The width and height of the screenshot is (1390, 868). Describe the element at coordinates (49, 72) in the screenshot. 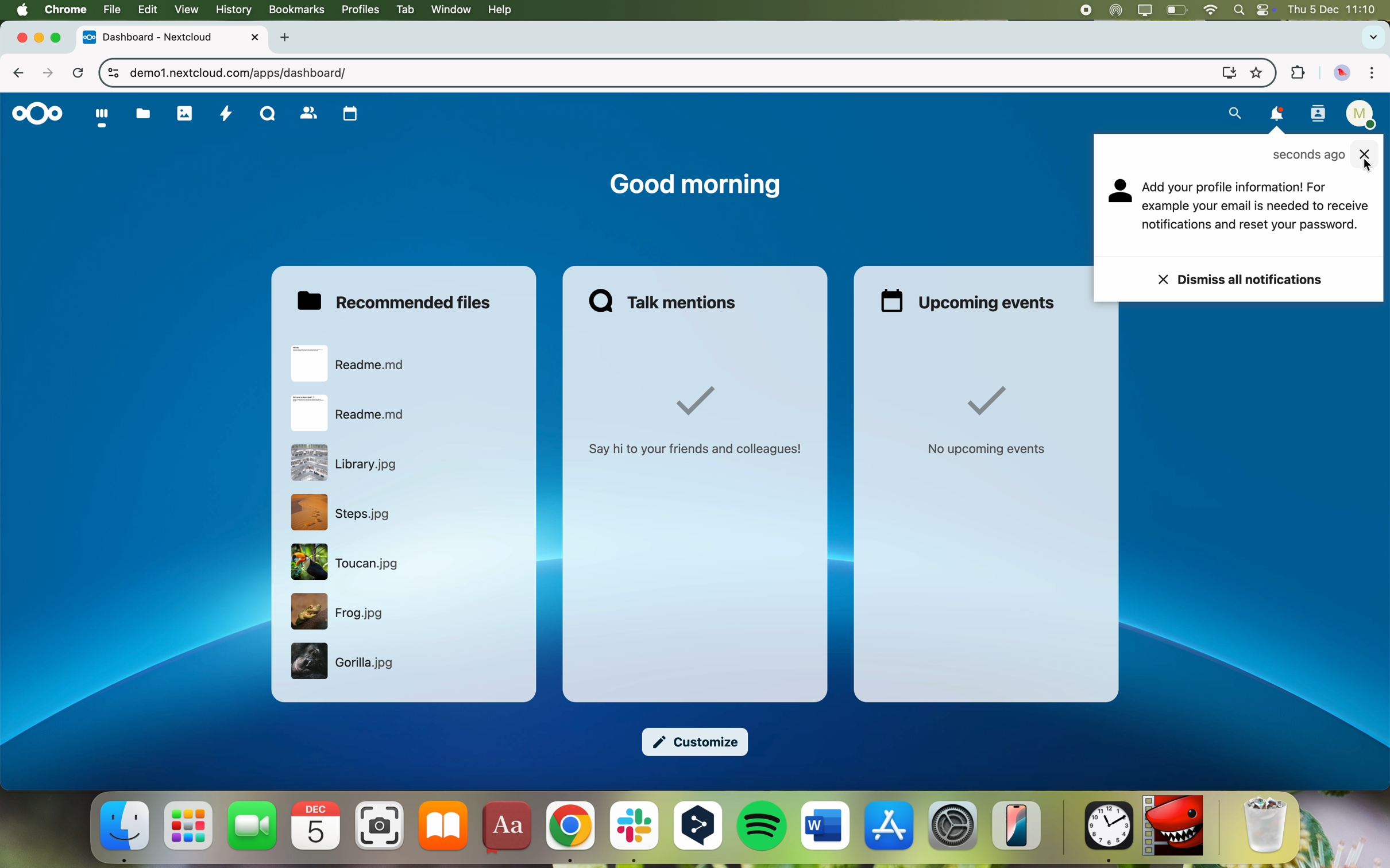

I see `navigate foward` at that location.